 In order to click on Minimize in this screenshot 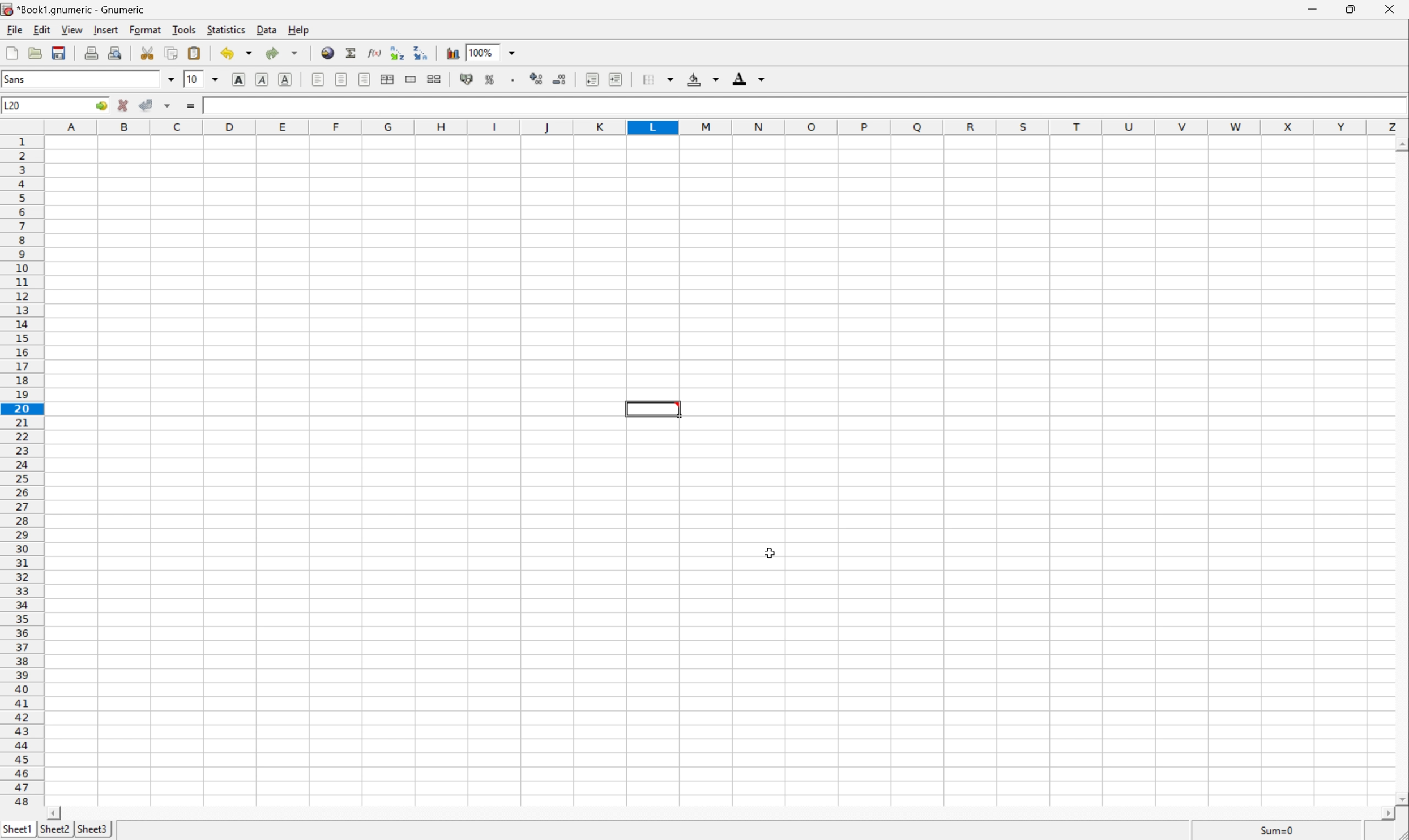, I will do `click(1315, 8)`.